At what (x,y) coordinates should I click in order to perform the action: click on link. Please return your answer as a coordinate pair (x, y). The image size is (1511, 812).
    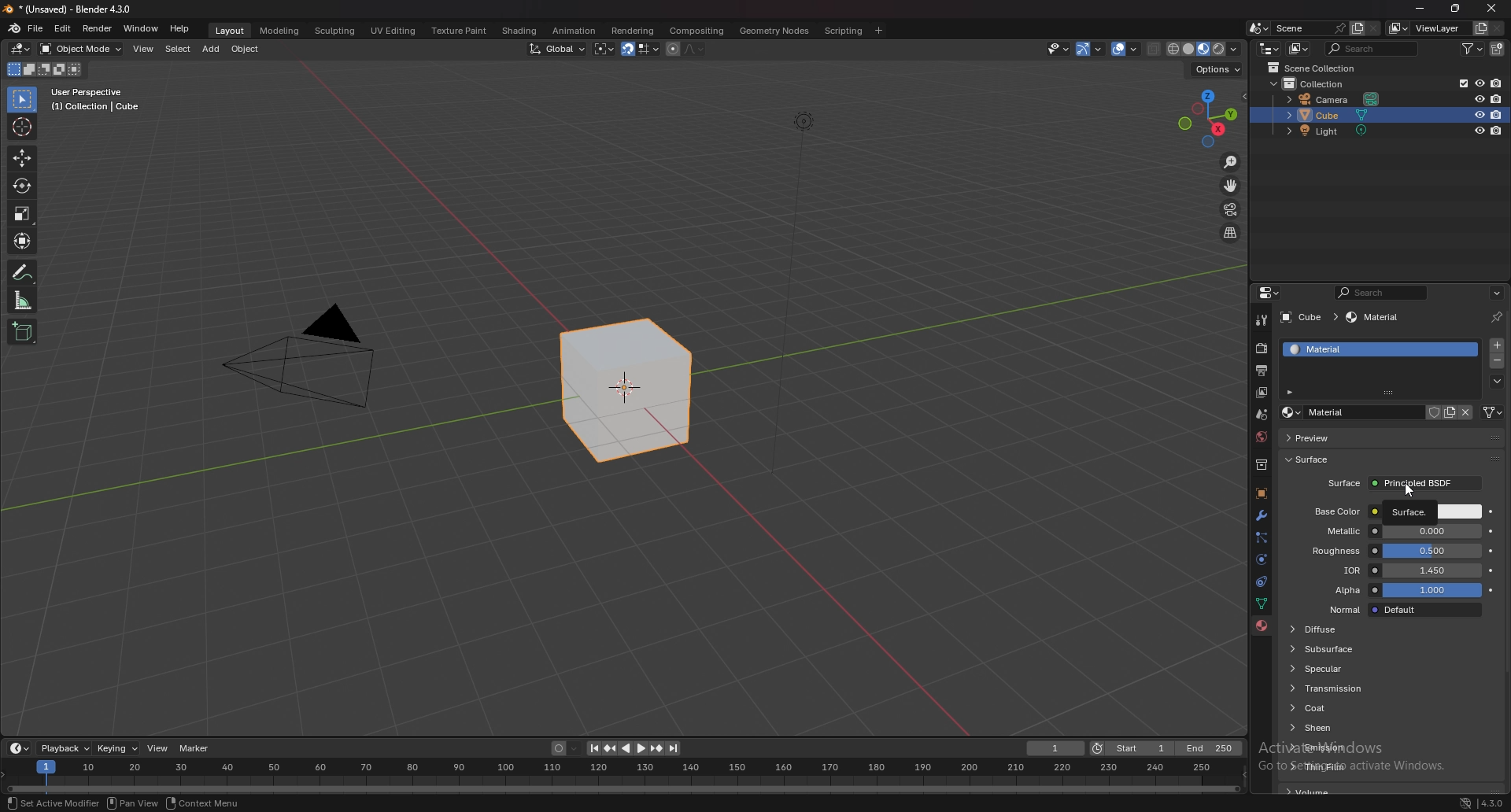
    Looking at the image, I should click on (1493, 412).